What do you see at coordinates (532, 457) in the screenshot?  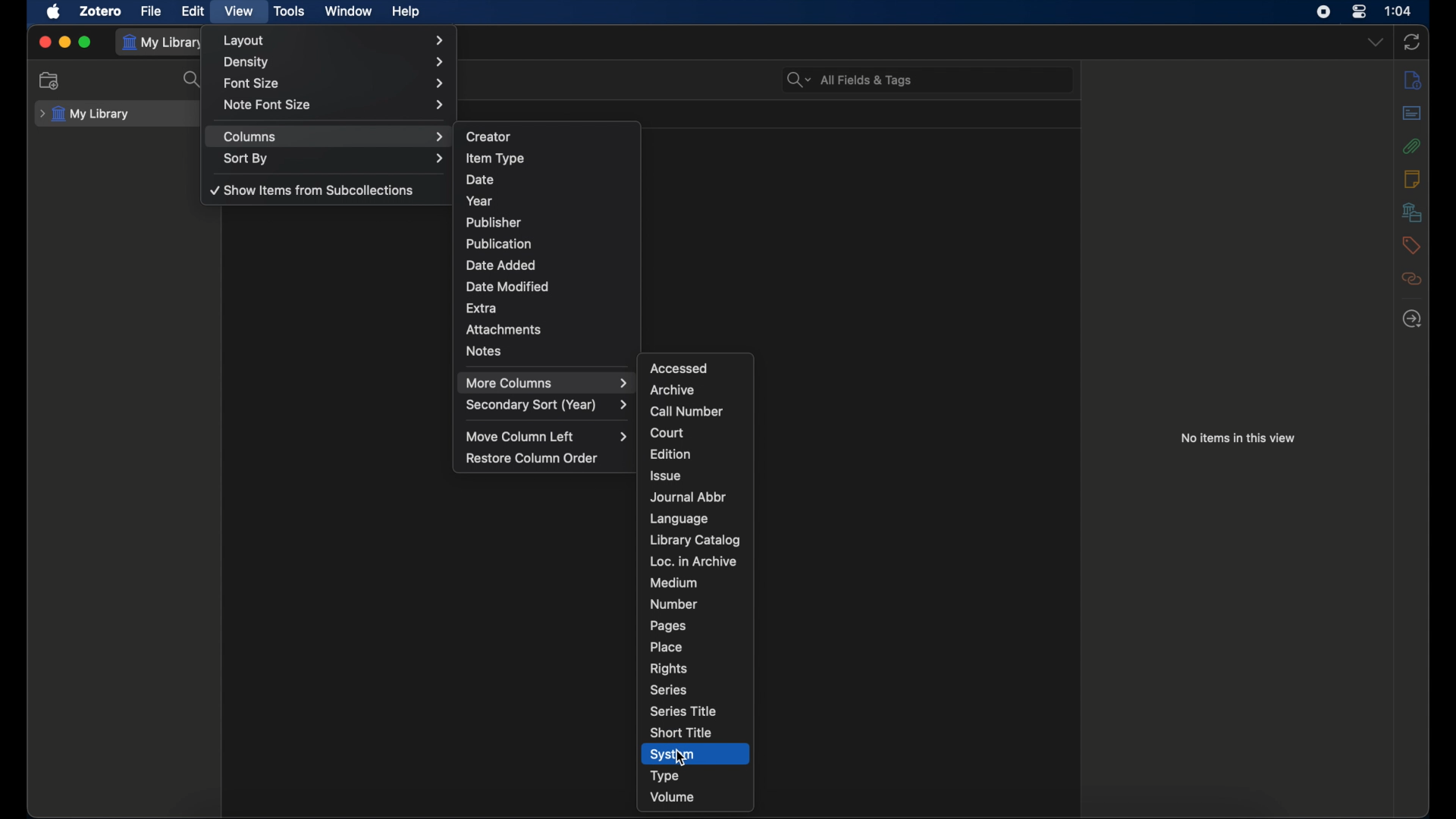 I see `restore column order` at bounding box center [532, 457].